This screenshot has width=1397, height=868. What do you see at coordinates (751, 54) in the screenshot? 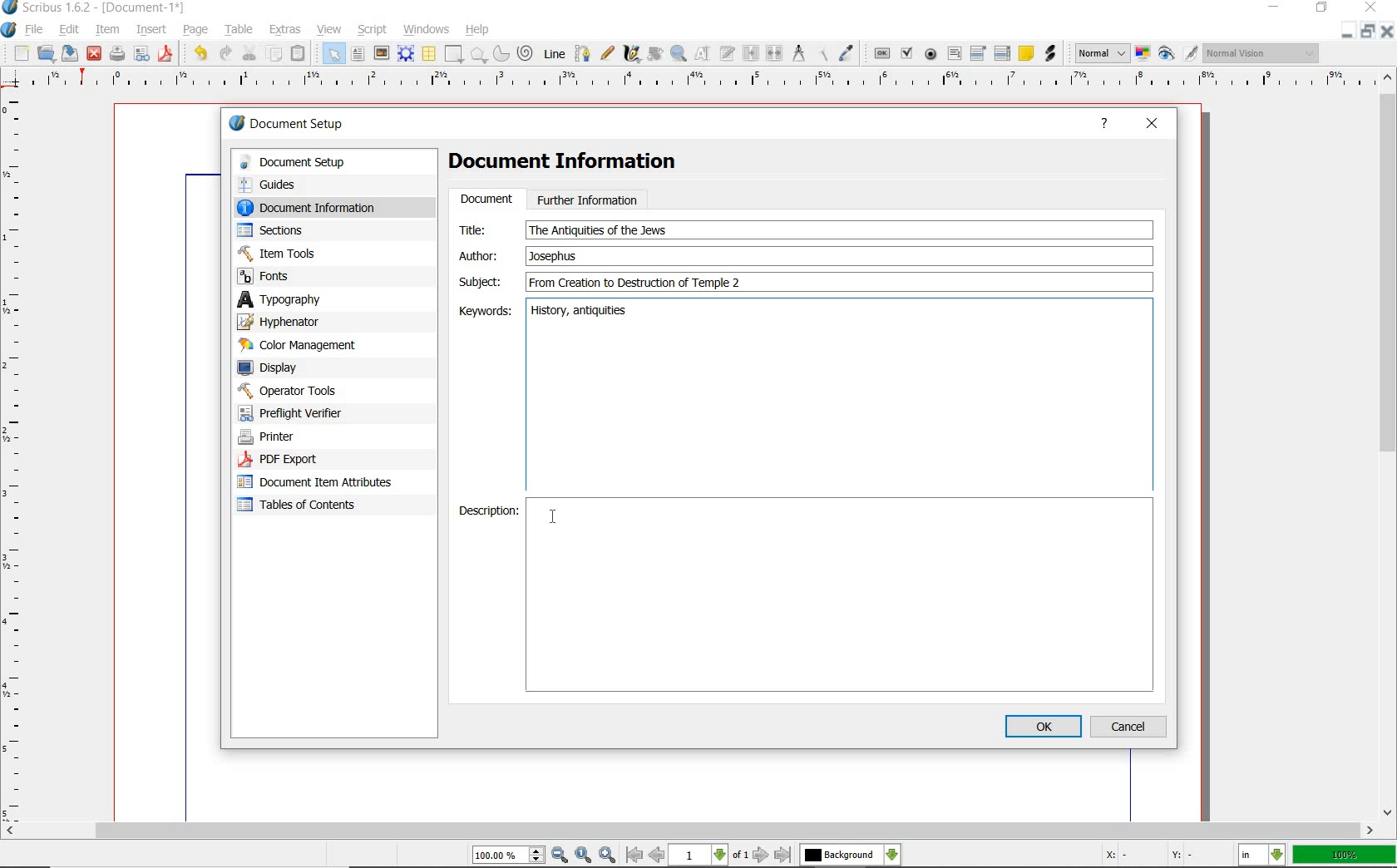
I see `link text frames` at bounding box center [751, 54].